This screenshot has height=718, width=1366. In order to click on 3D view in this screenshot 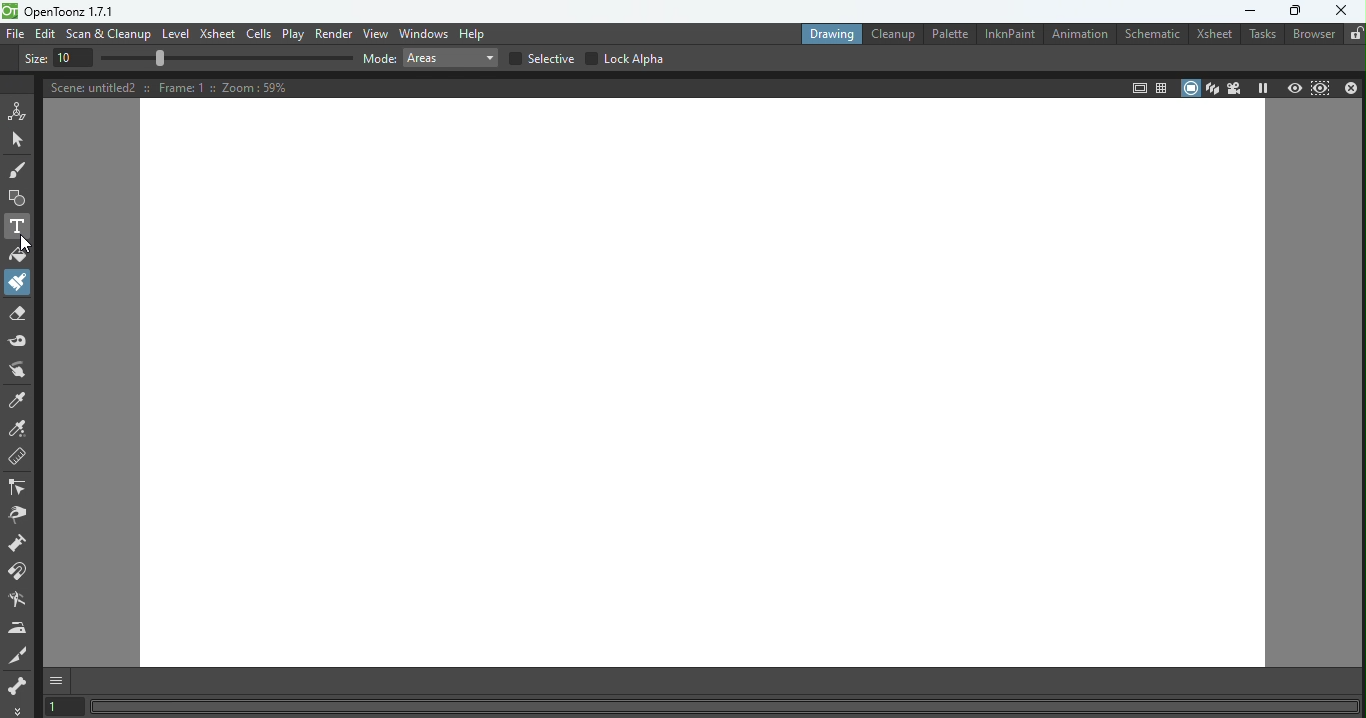, I will do `click(1211, 88)`.